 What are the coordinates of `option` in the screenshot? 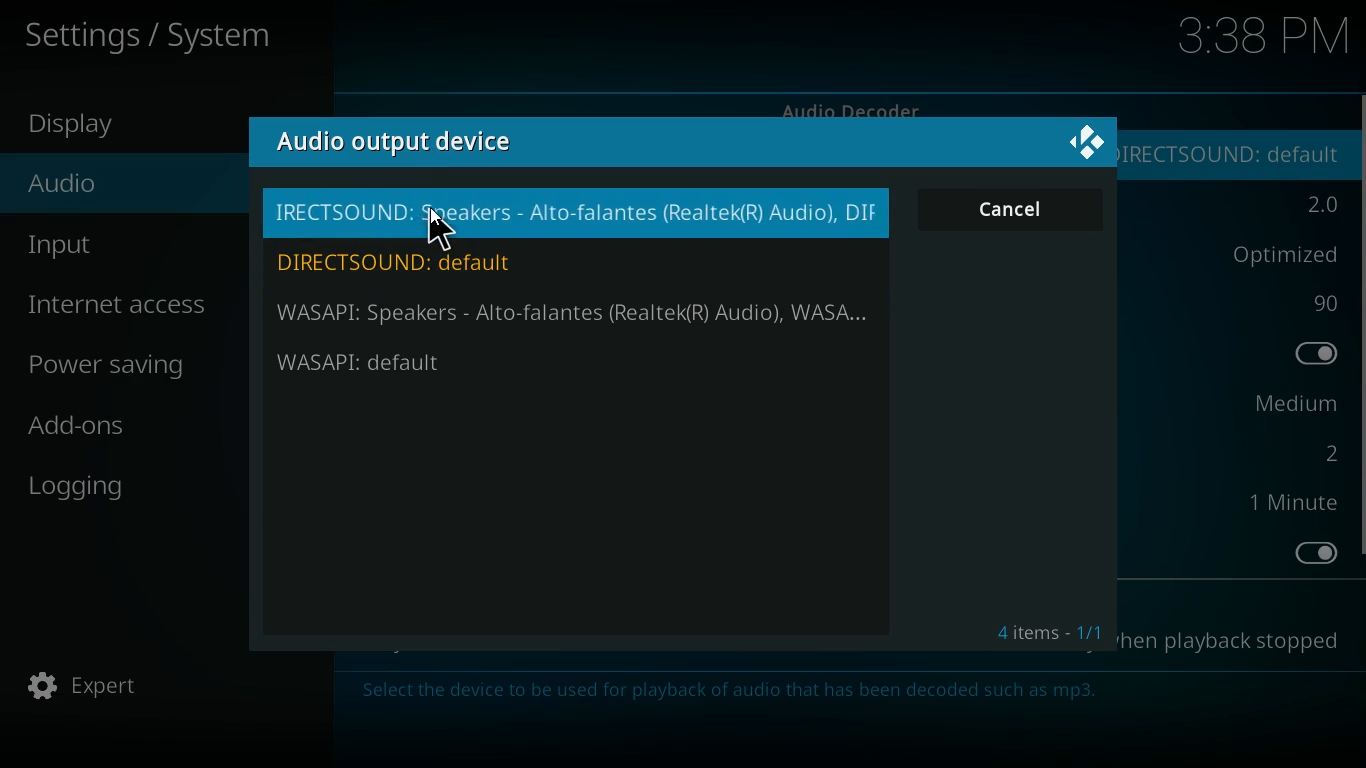 It's located at (1311, 553).